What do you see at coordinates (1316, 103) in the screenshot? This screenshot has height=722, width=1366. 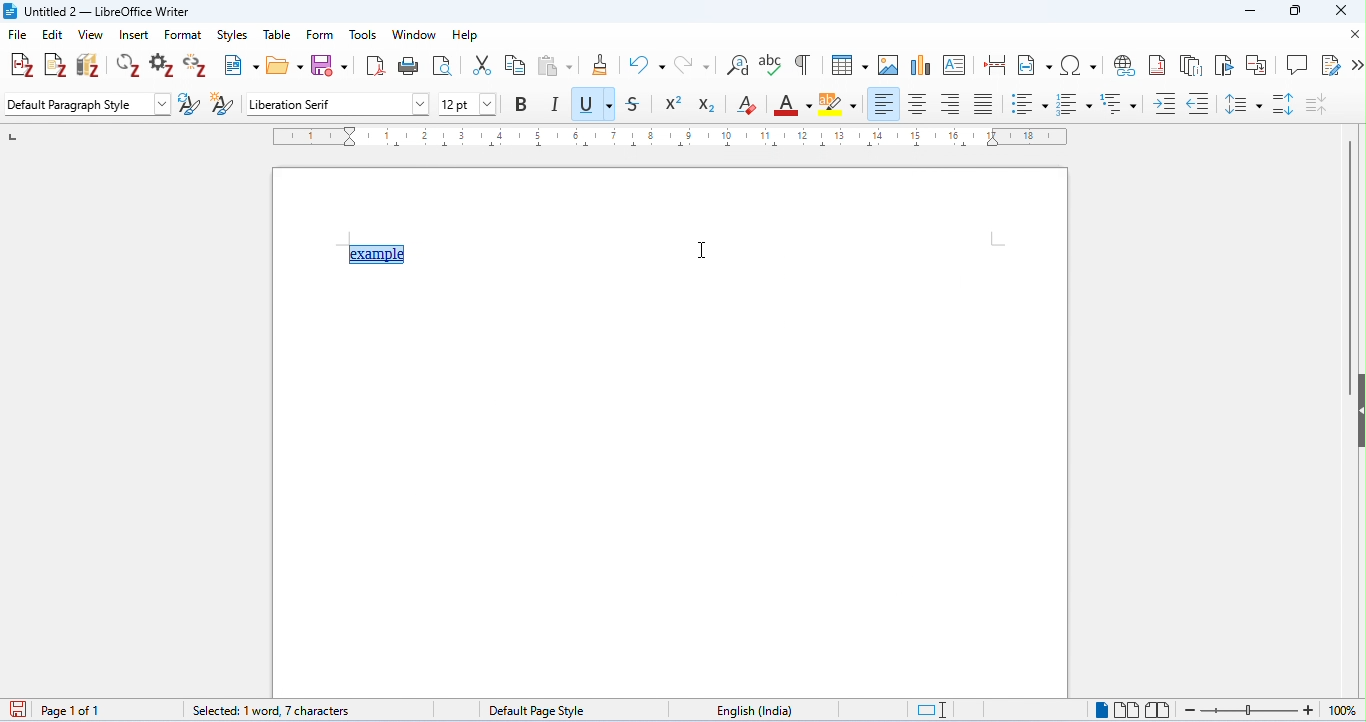 I see `decrease paragraph spacing` at bounding box center [1316, 103].